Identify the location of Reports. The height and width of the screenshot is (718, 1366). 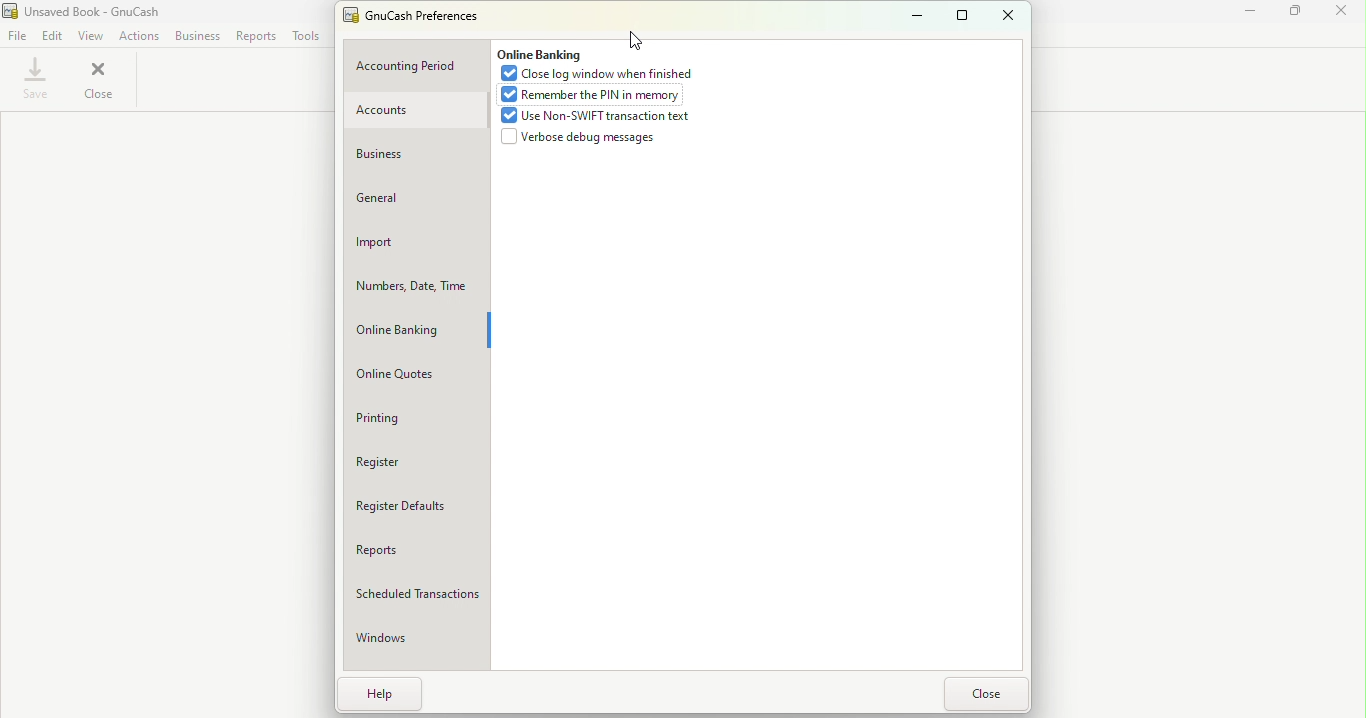
(414, 551).